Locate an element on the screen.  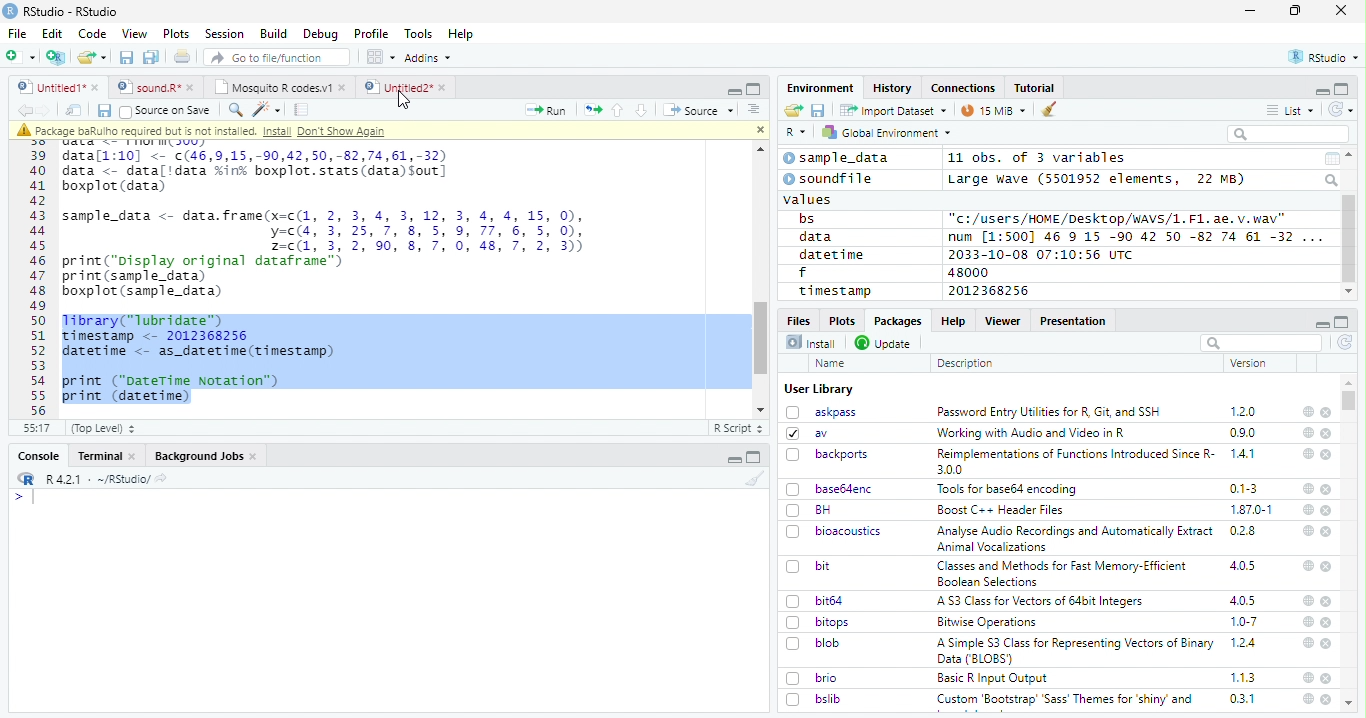
11 obs. of 3 variables is located at coordinates (1038, 159).